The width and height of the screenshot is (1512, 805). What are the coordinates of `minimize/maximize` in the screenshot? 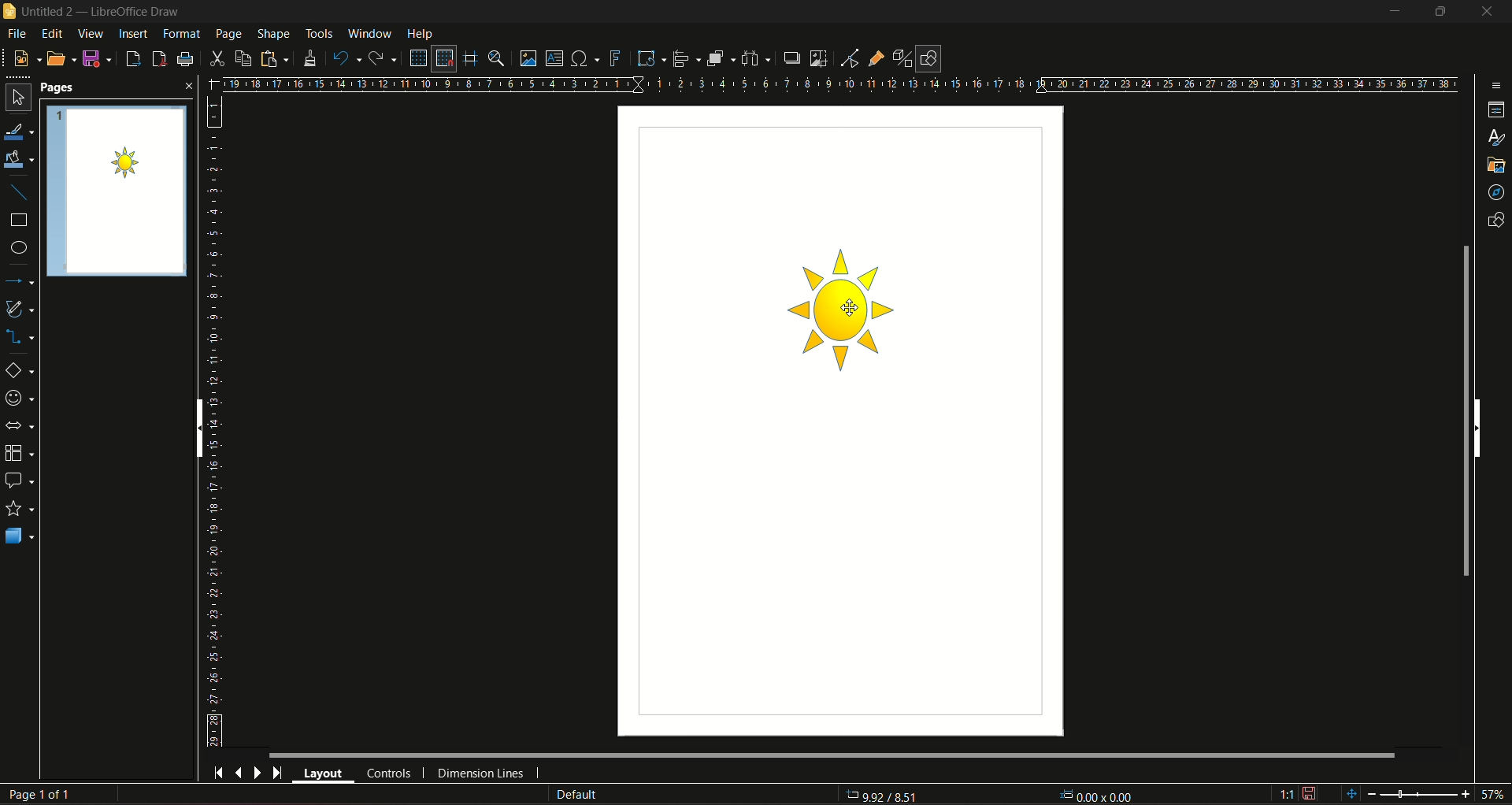 It's located at (1442, 13).